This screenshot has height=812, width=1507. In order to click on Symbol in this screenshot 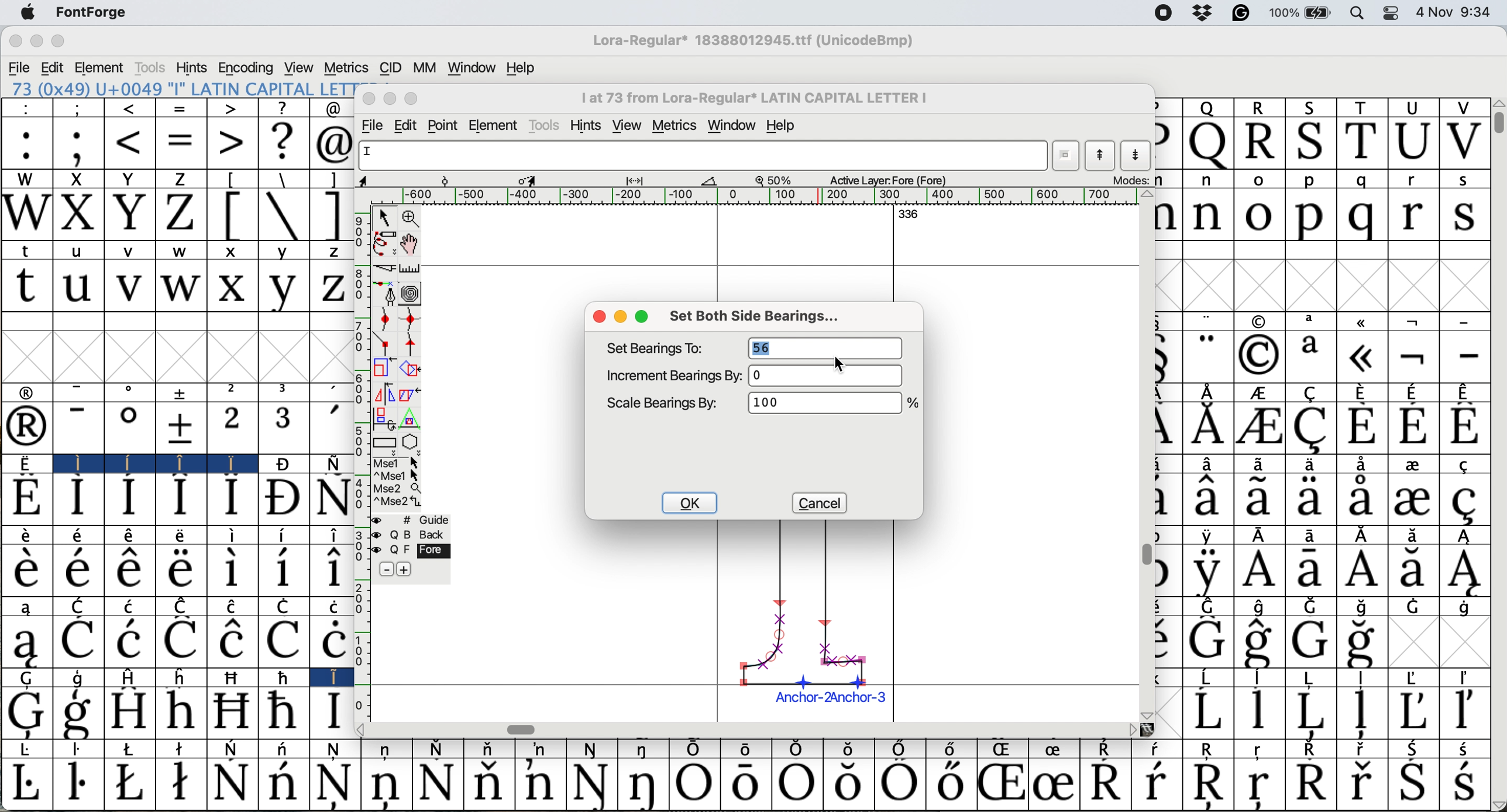, I will do `click(130, 782)`.